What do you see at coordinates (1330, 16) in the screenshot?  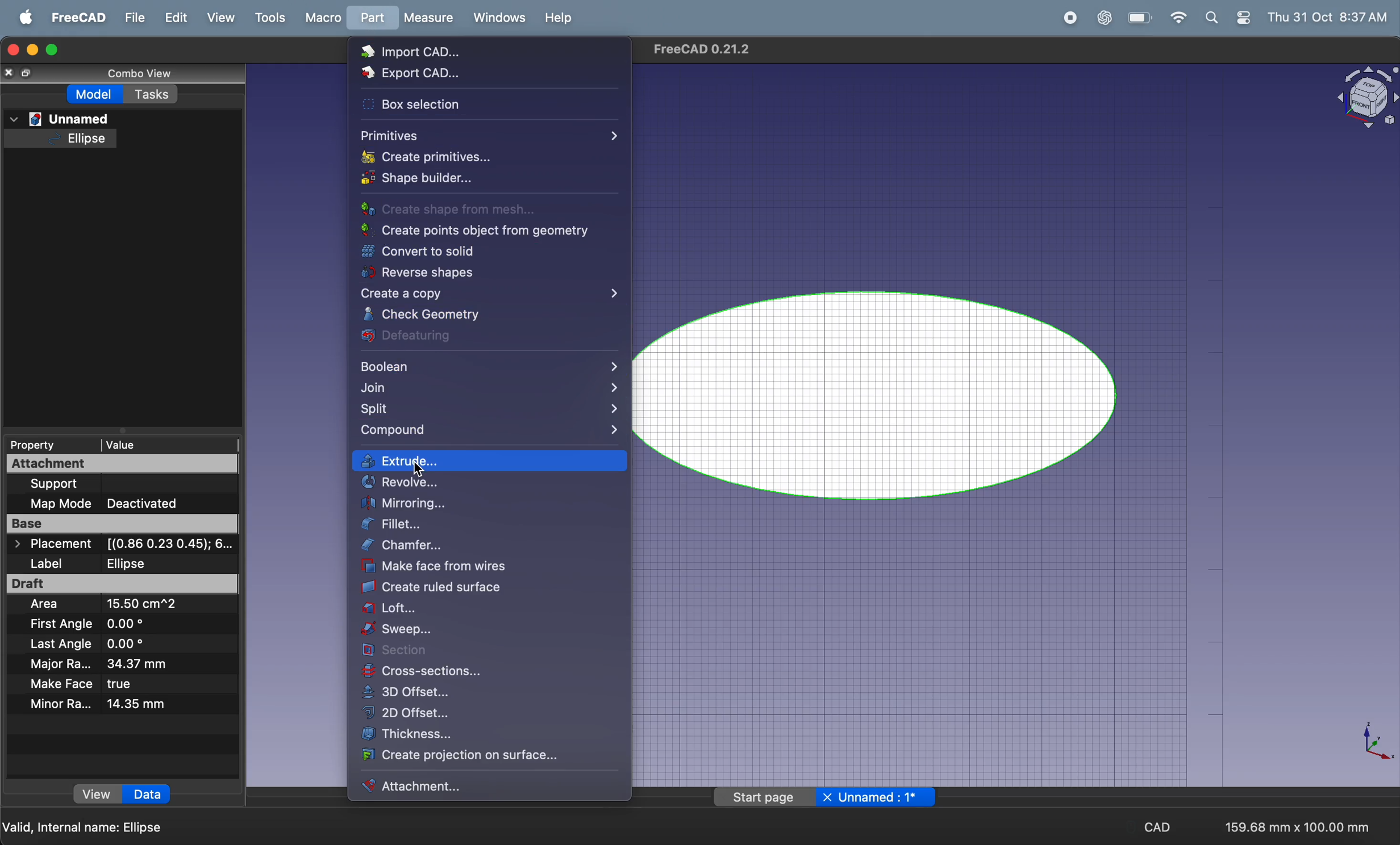 I see `thu 31 oct 8.37 am` at bounding box center [1330, 16].